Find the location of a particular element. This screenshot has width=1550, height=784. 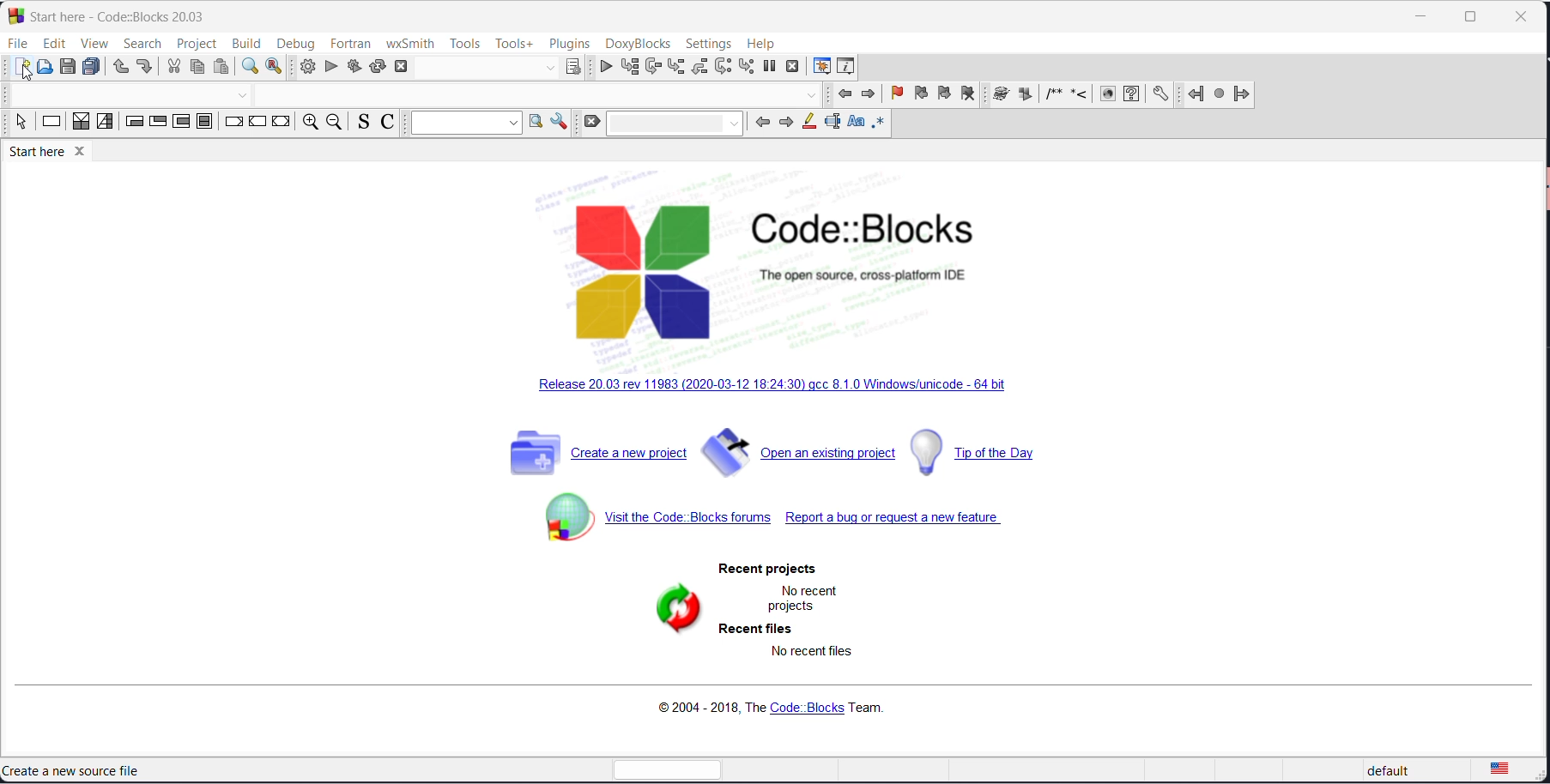

Debug is located at coordinates (294, 41).